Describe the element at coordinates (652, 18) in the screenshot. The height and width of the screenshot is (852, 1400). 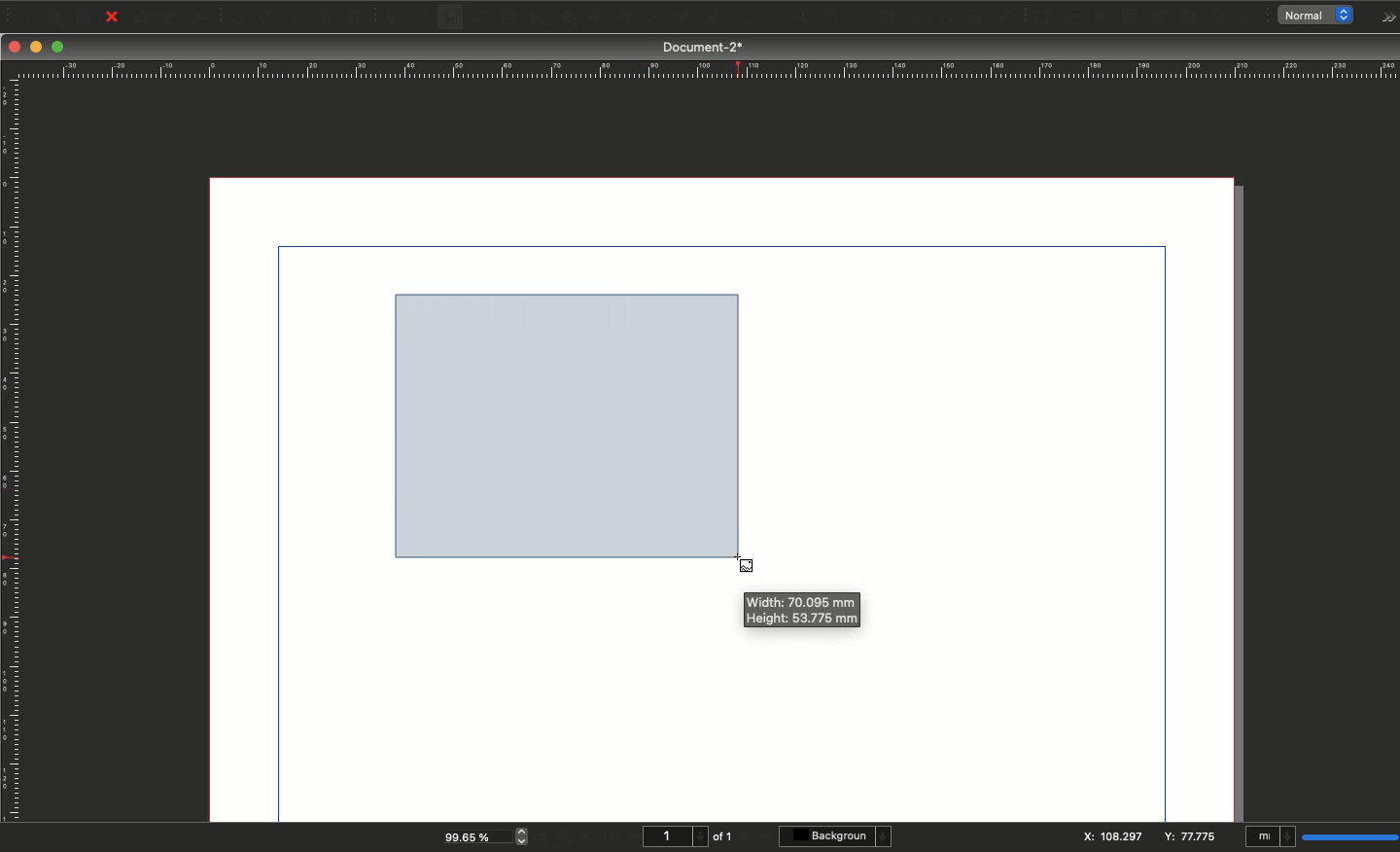
I see `Line` at that location.